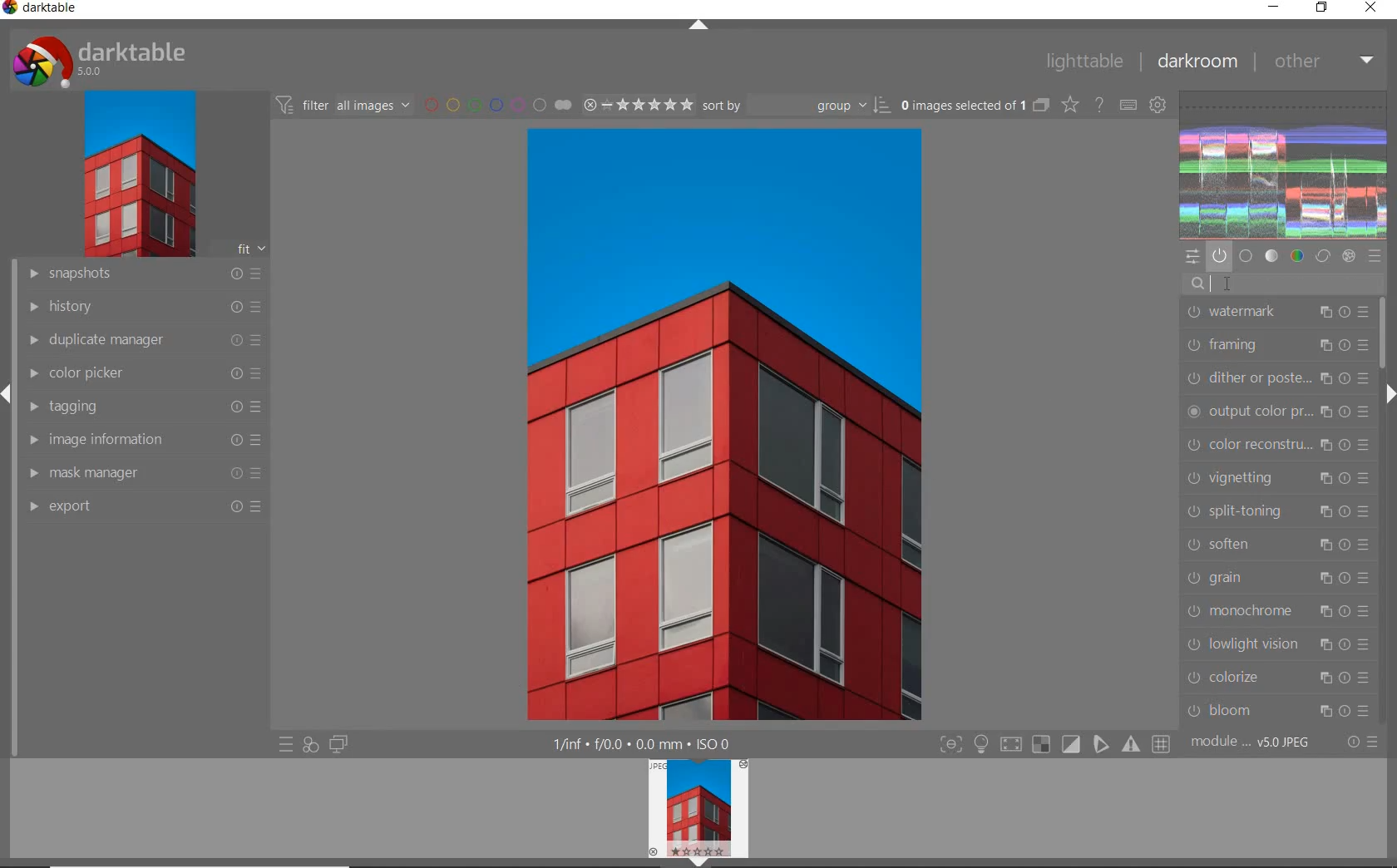  What do you see at coordinates (1360, 745) in the screenshot?
I see `reset or preset & preference` at bounding box center [1360, 745].